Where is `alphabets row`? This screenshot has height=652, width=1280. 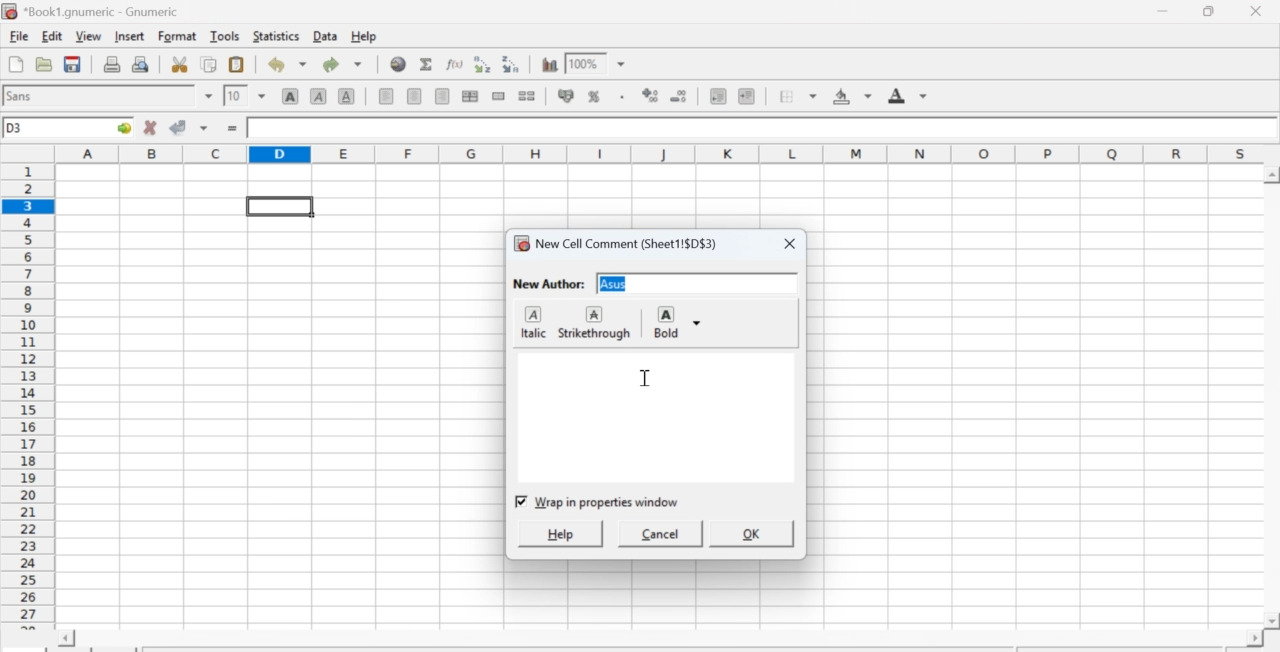
alphabets row is located at coordinates (659, 152).